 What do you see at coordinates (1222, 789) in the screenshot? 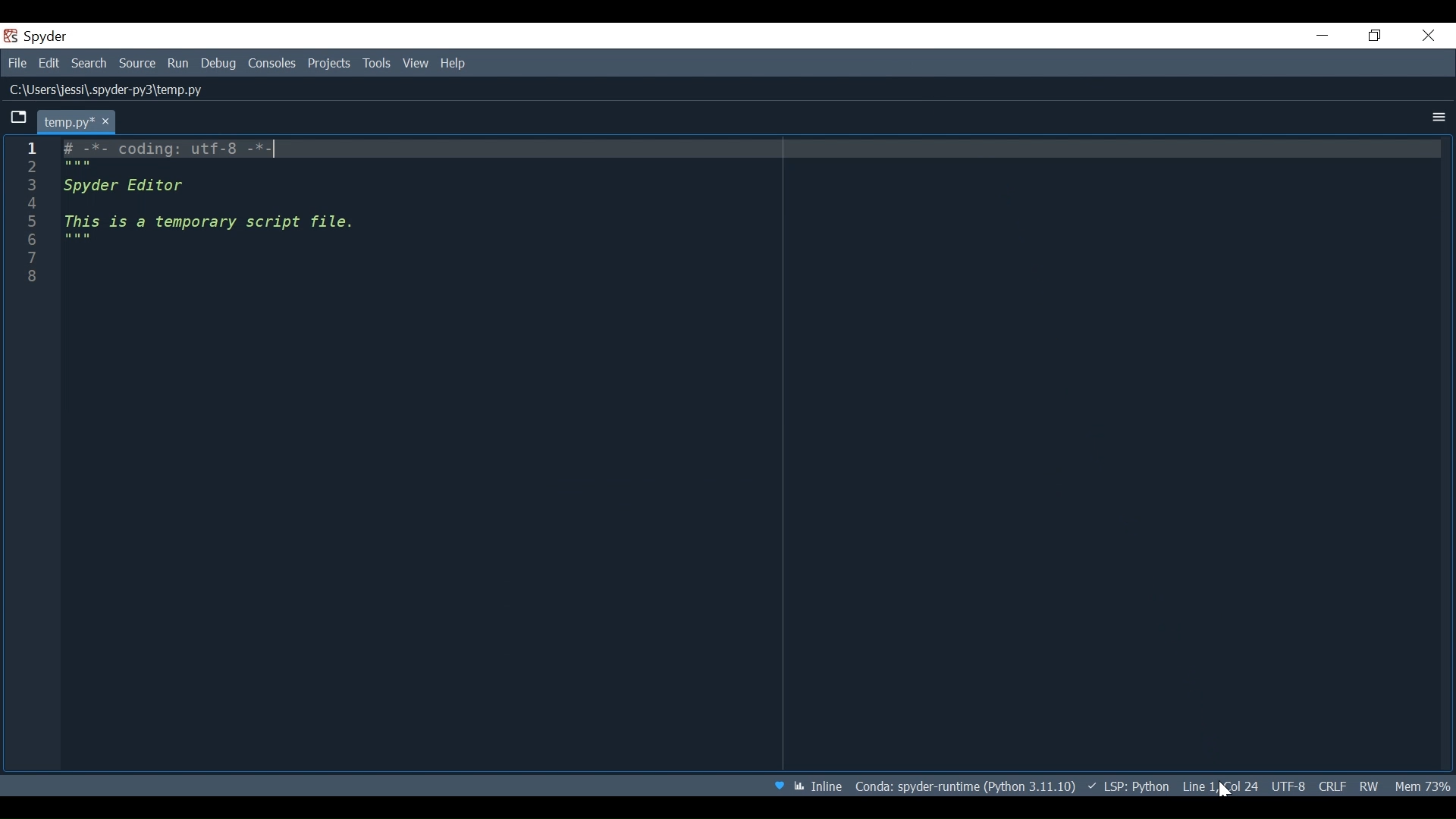
I see `Cursor` at bounding box center [1222, 789].